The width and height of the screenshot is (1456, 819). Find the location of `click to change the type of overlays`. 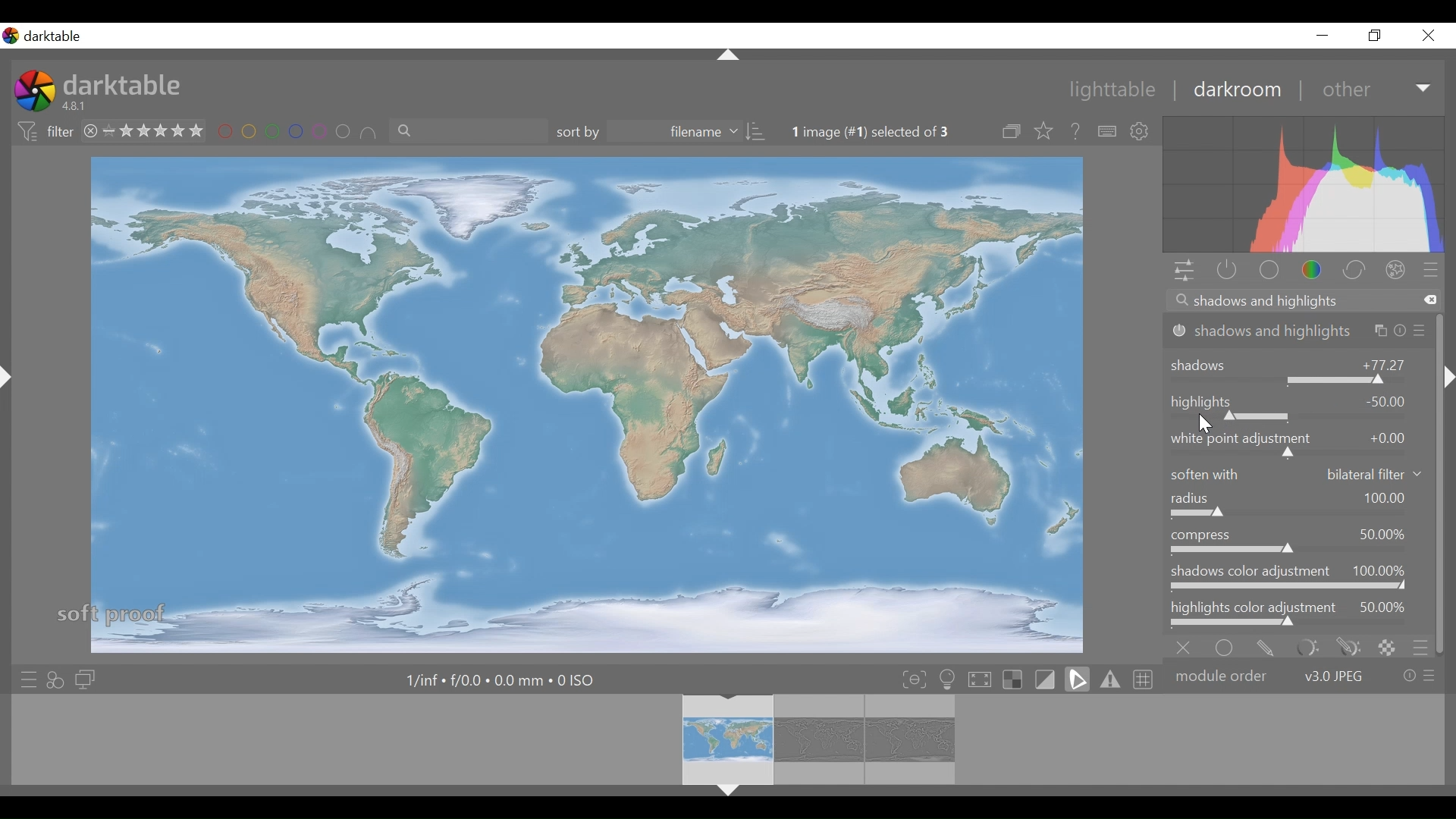

click to change the type of overlays is located at coordinates (1045, 132).